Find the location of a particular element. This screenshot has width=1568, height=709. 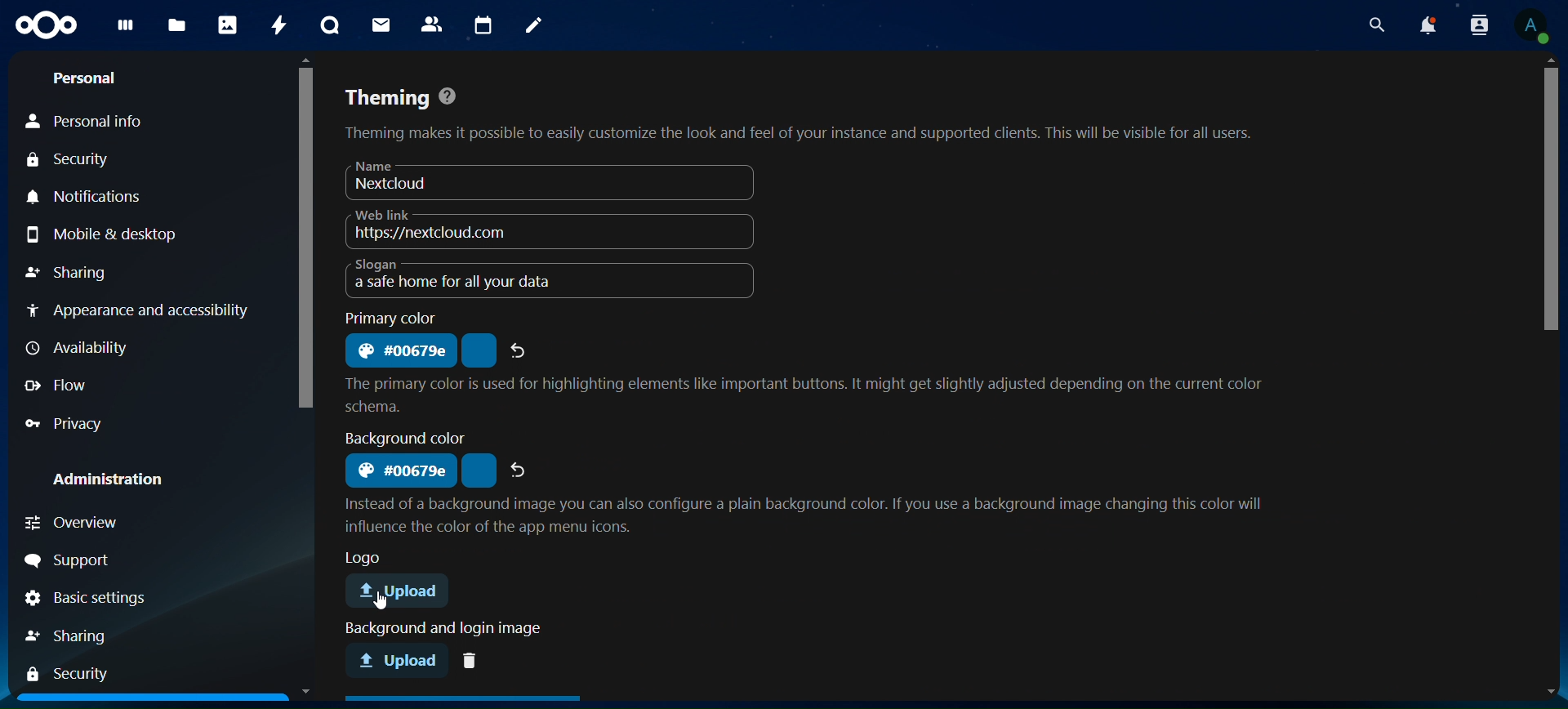

Background color is located at coordinates (402, 436).